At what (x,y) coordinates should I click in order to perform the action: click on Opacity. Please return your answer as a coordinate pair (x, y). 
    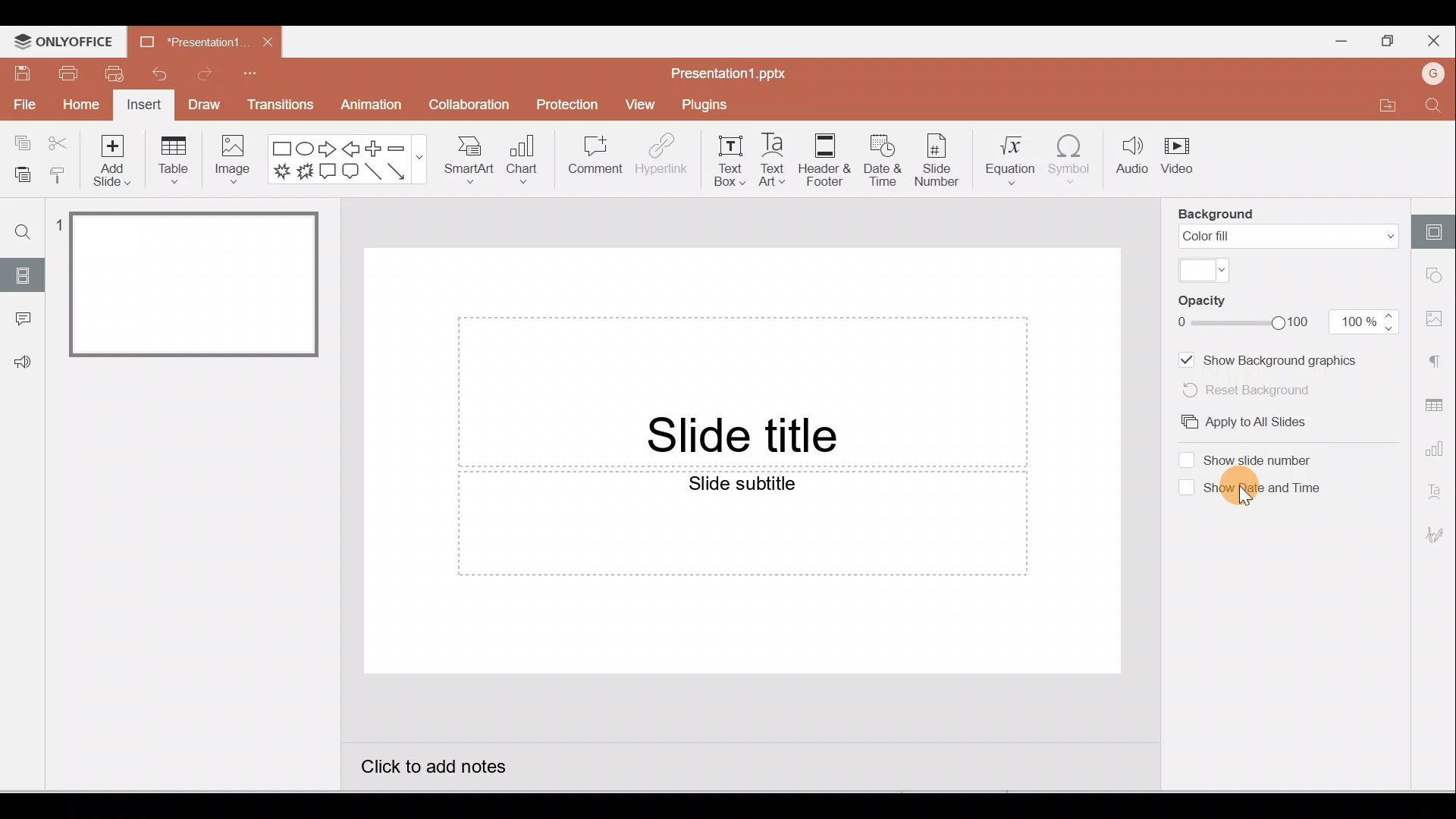
    Looking at the image, I should click on (1215, 302).